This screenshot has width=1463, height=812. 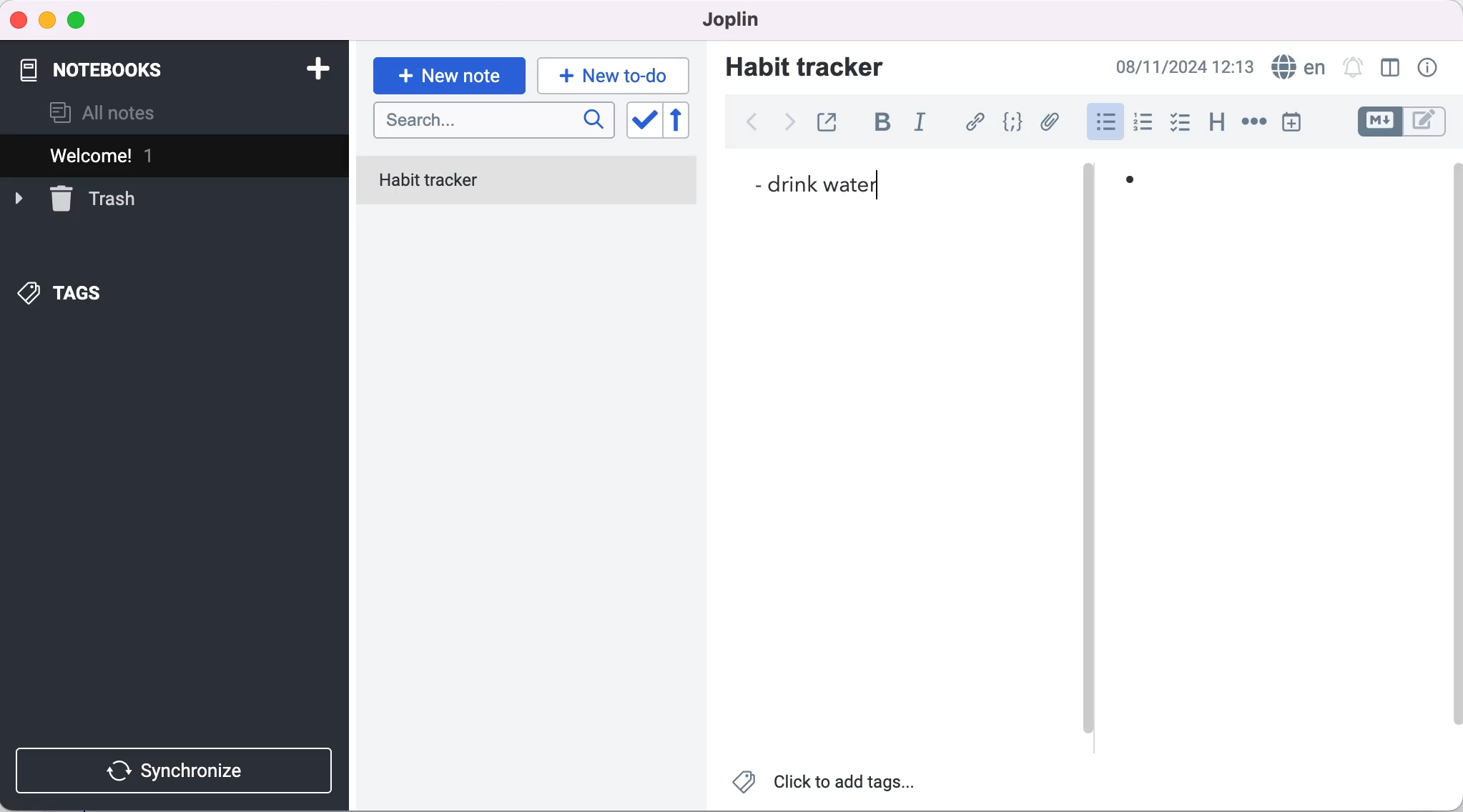 I want to click on close, so click(x=19, y=19).